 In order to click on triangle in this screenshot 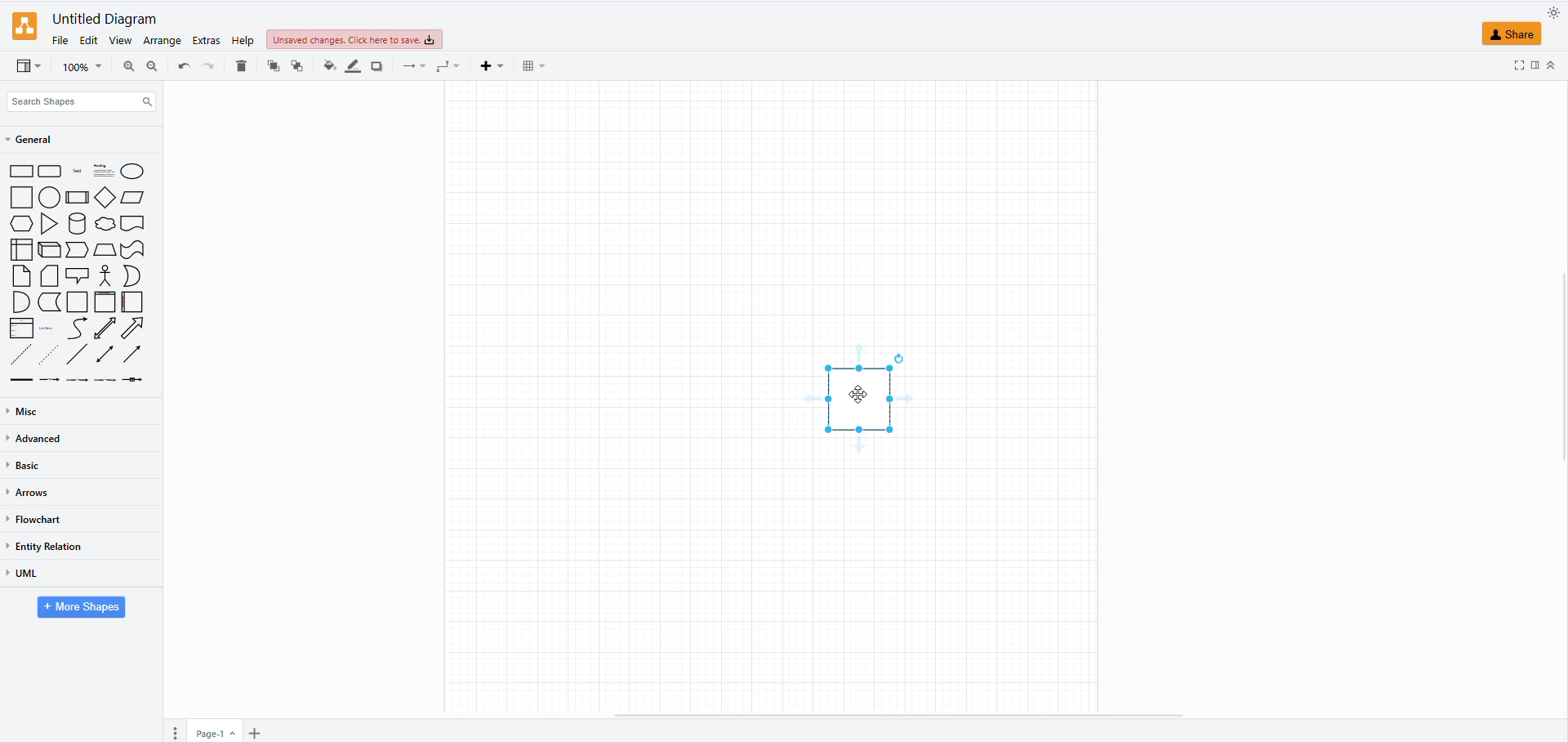, I will do `click(51, 226)`.